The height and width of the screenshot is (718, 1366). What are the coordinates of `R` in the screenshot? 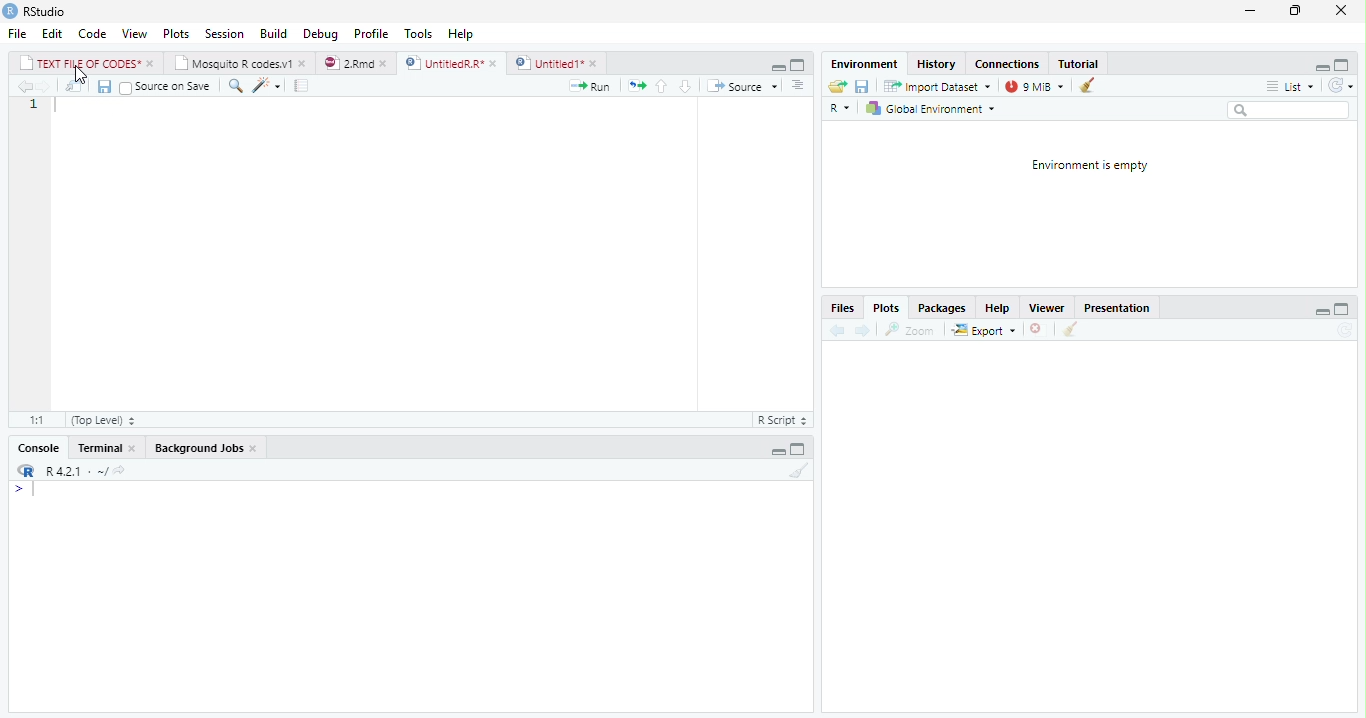 It's located at (838, 107).